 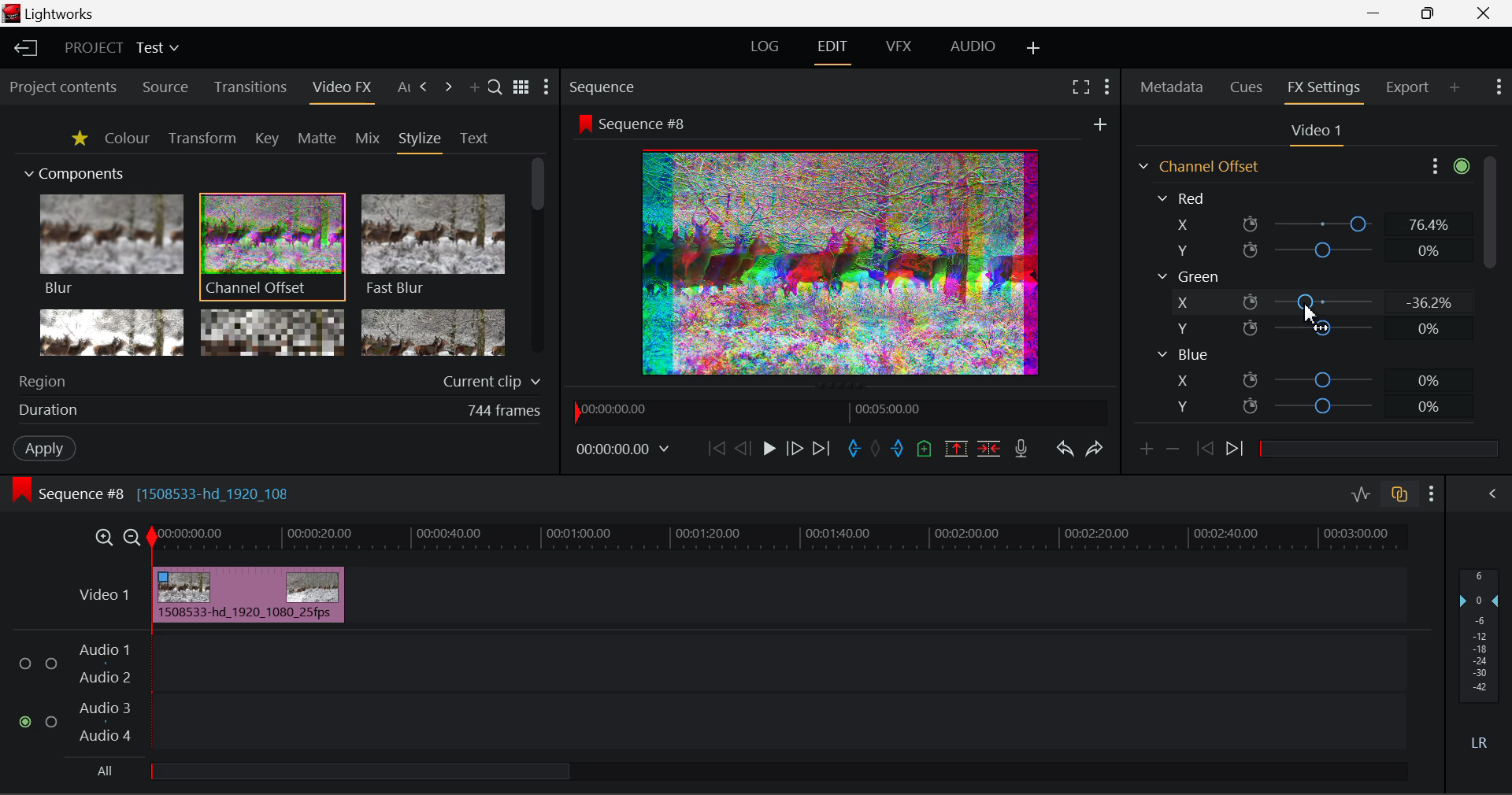 I want to click on Add Layout, so click(x=1034, y=51).